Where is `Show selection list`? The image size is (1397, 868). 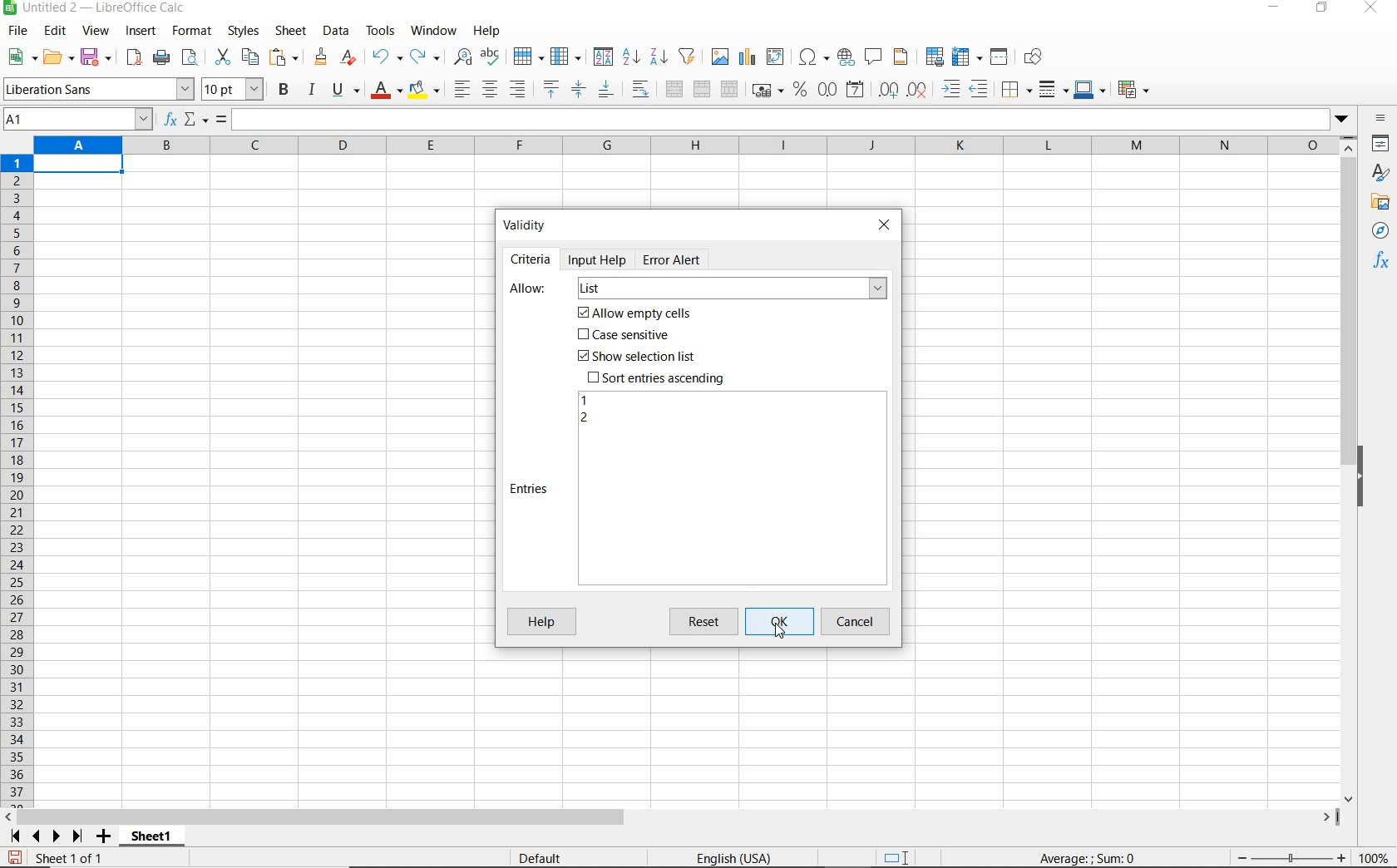
Show selection list is located at coordinates (634, 357).